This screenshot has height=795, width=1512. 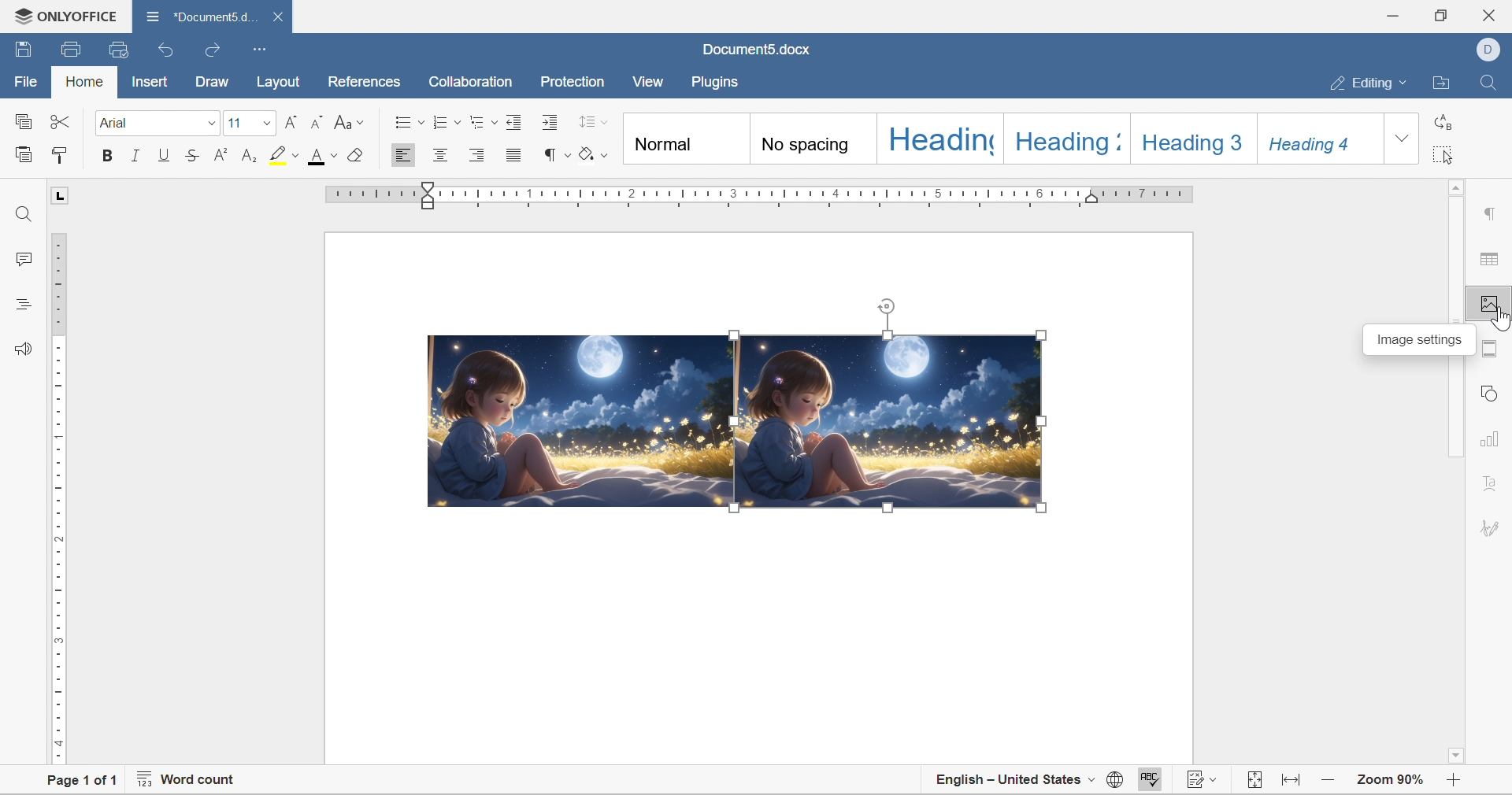 What do you see at coordinates (210, 124) in the screenshot?
I see `drop down` at bounding box center [210, 124].